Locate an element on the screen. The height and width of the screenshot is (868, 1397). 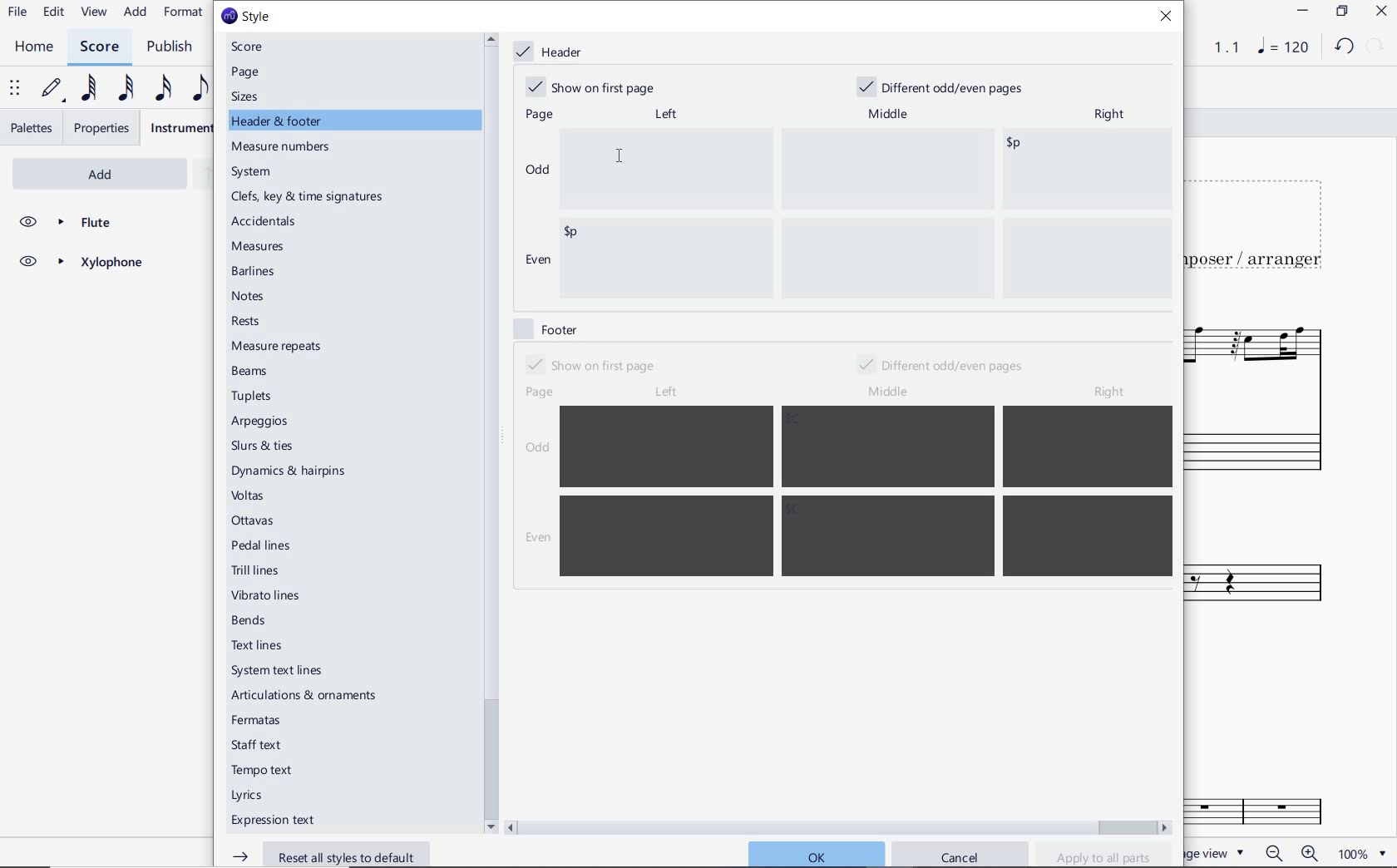
expression text is located at coordinates (275, 821).